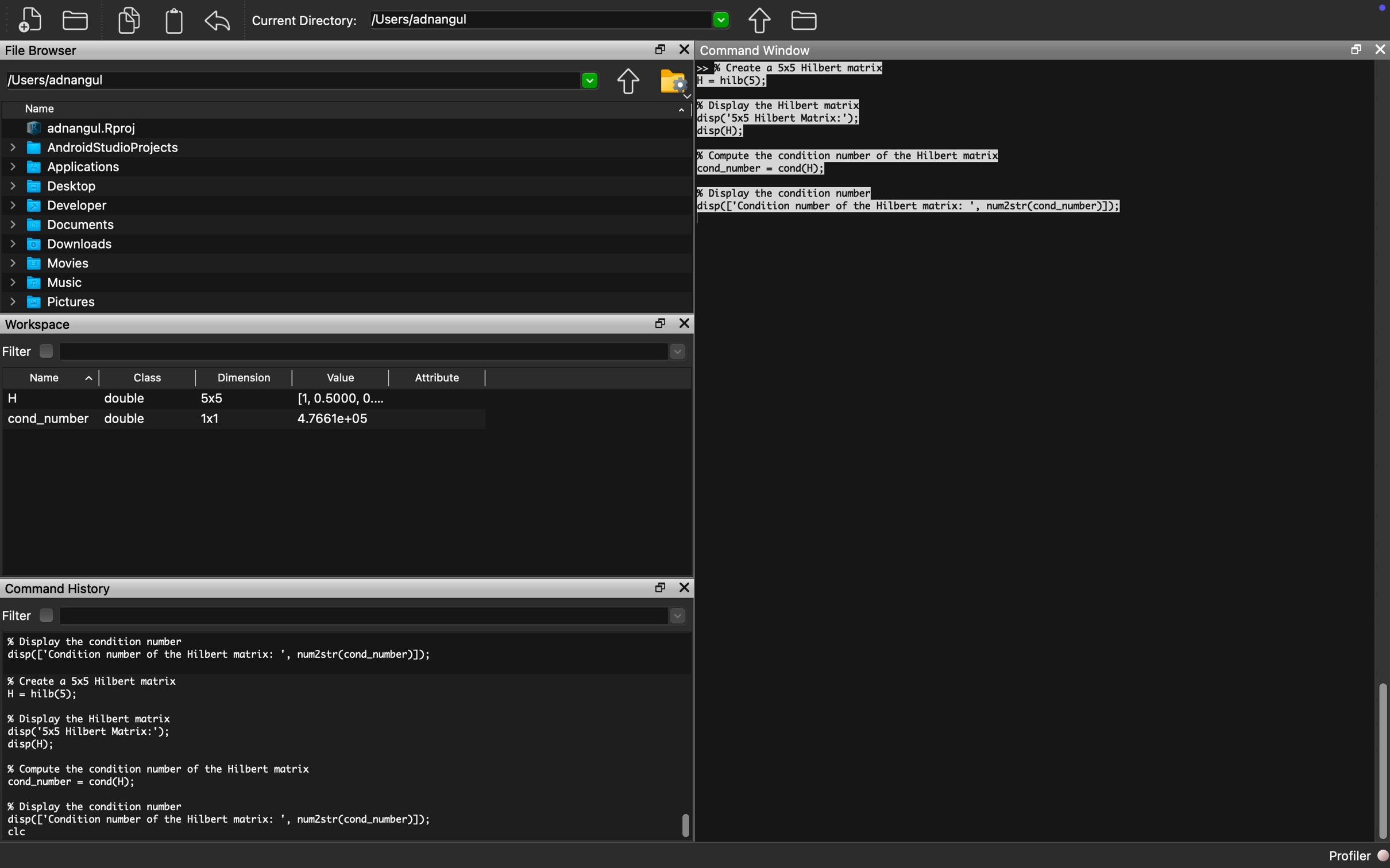 This screenshot has height=868, width=1390. Describe the element at coordinates (687, 827) in the screenshot. I see `Scroll` at that location.